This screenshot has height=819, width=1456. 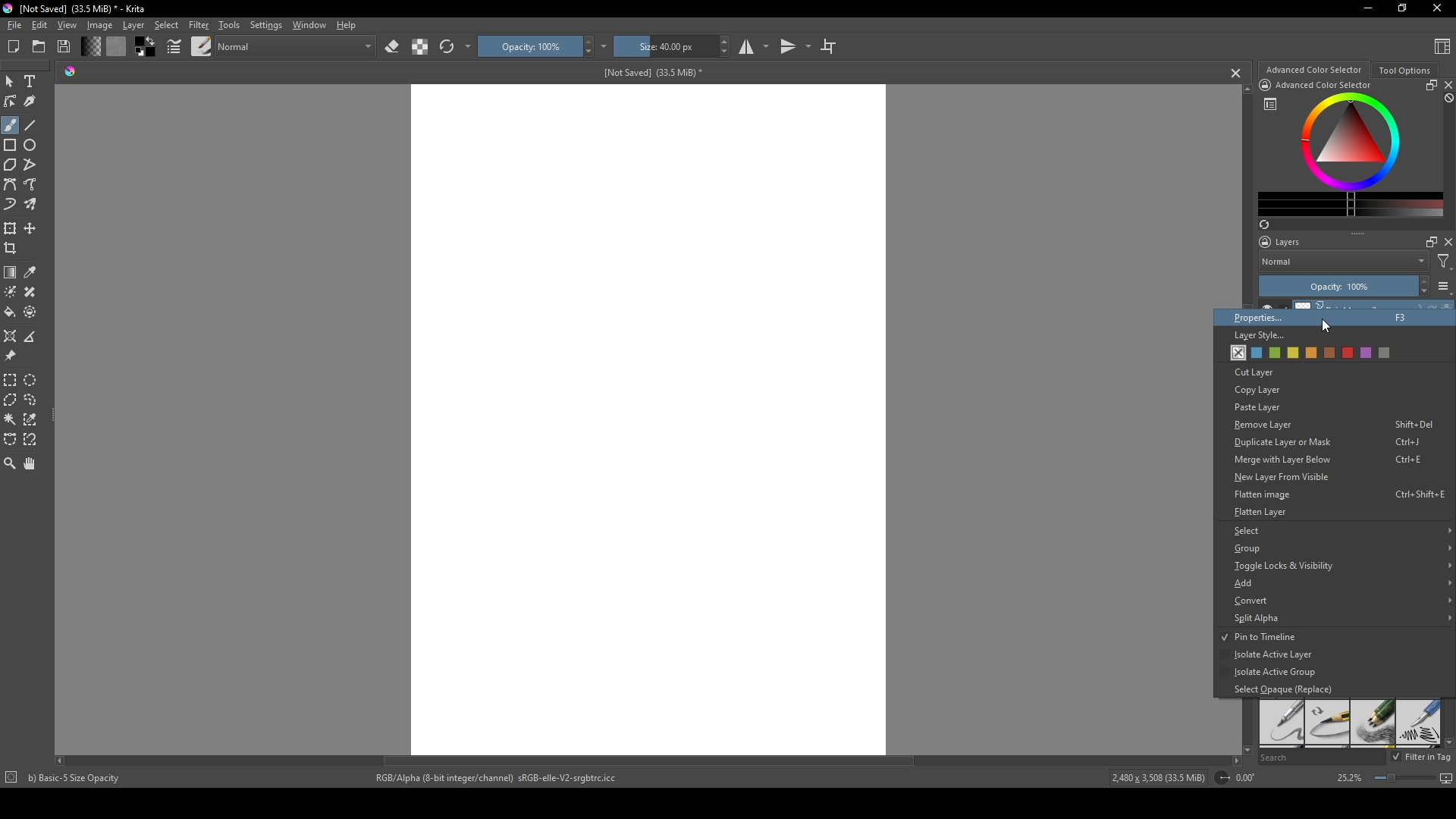 What do you see at coordinates (33, 292) in the screenshot?
I see `smart patch` at bounding box center [33, 292].